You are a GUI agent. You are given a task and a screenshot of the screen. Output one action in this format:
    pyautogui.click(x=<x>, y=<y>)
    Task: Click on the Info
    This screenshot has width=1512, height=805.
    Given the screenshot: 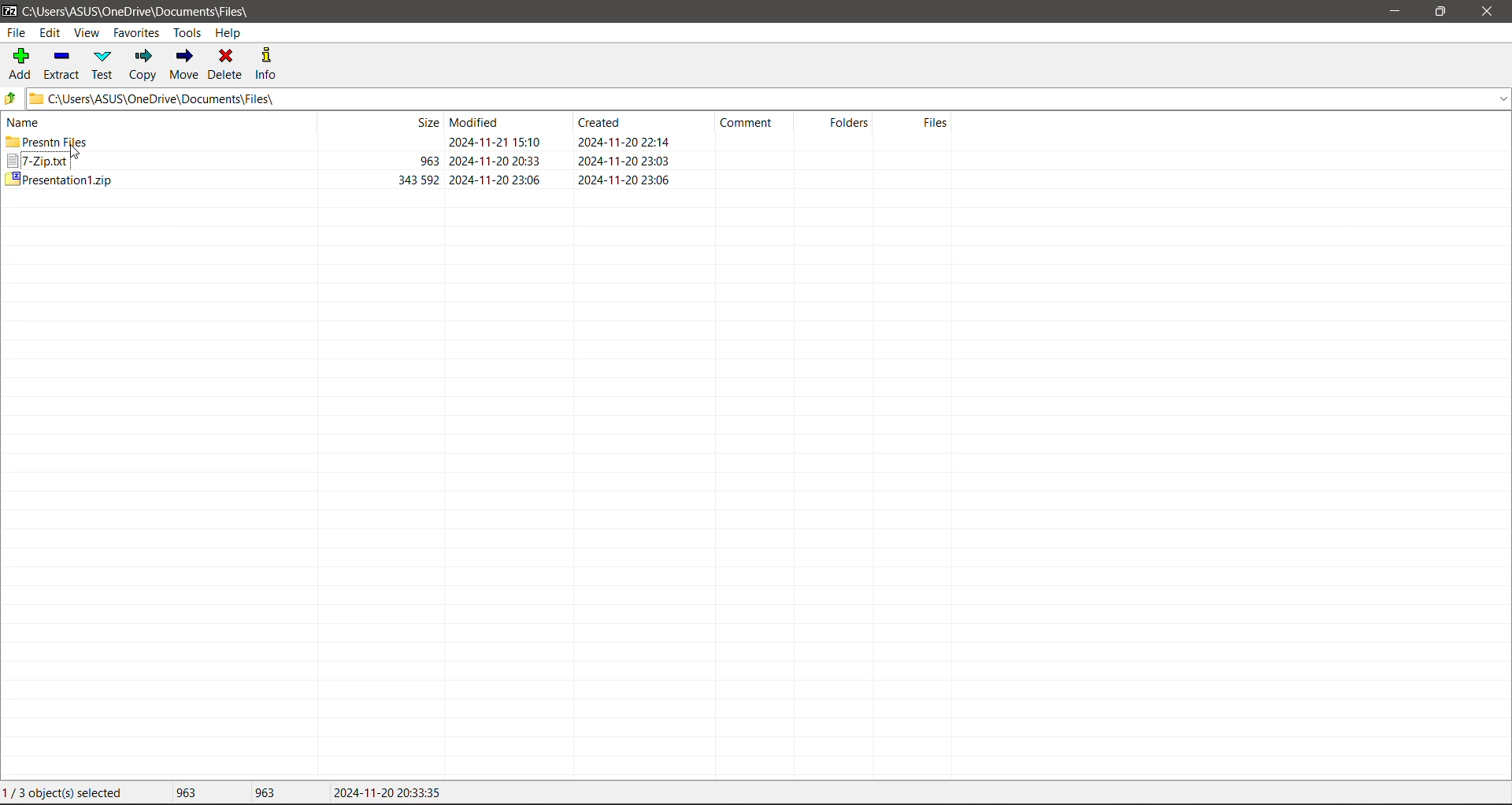 What is the action you would take?
    pyautogui.click(x=267, y=62)
    